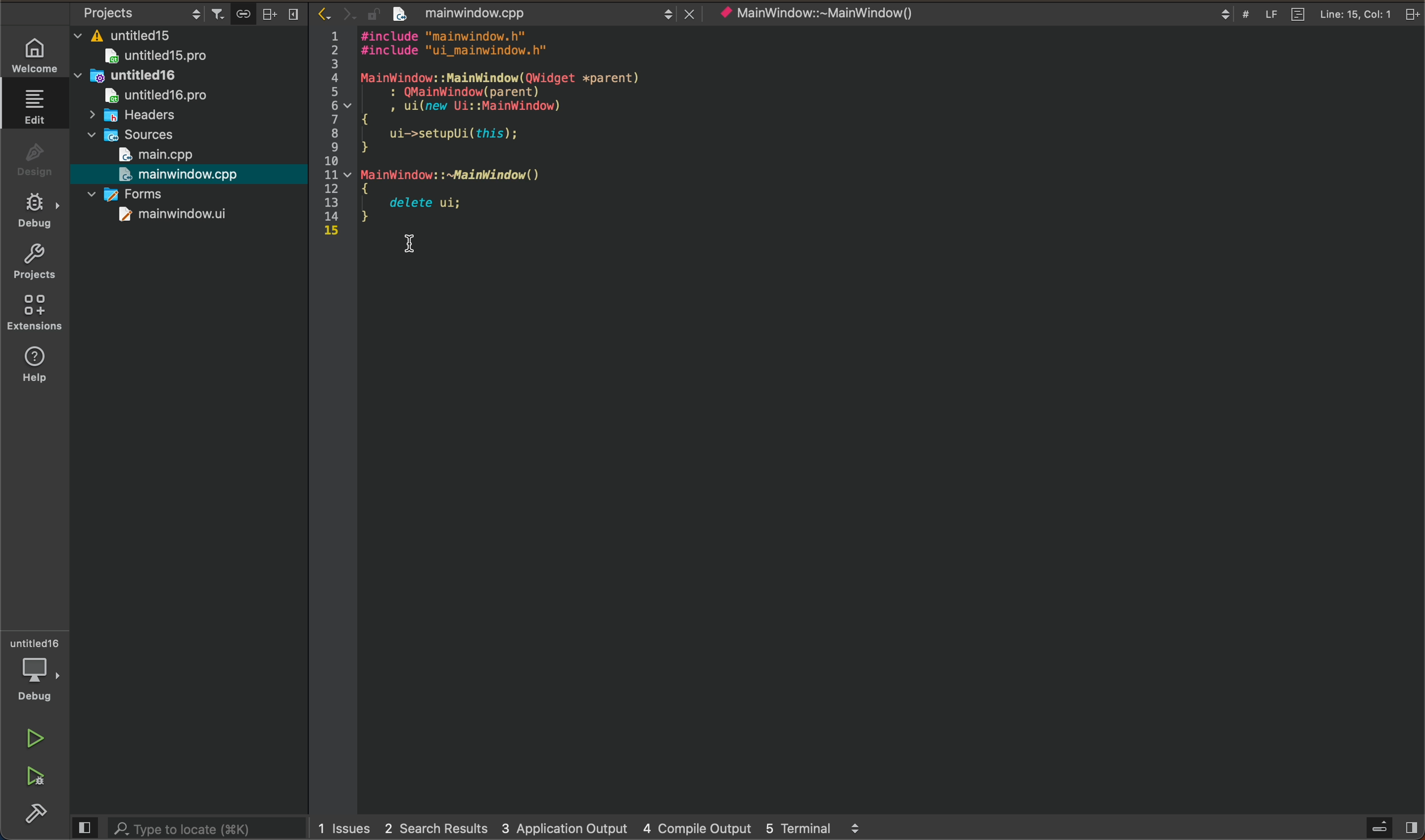 The image size is (1425, 840). Describe the element at coordinates (1382, 827) in the screenshot. I see `open sidebar` at that location.